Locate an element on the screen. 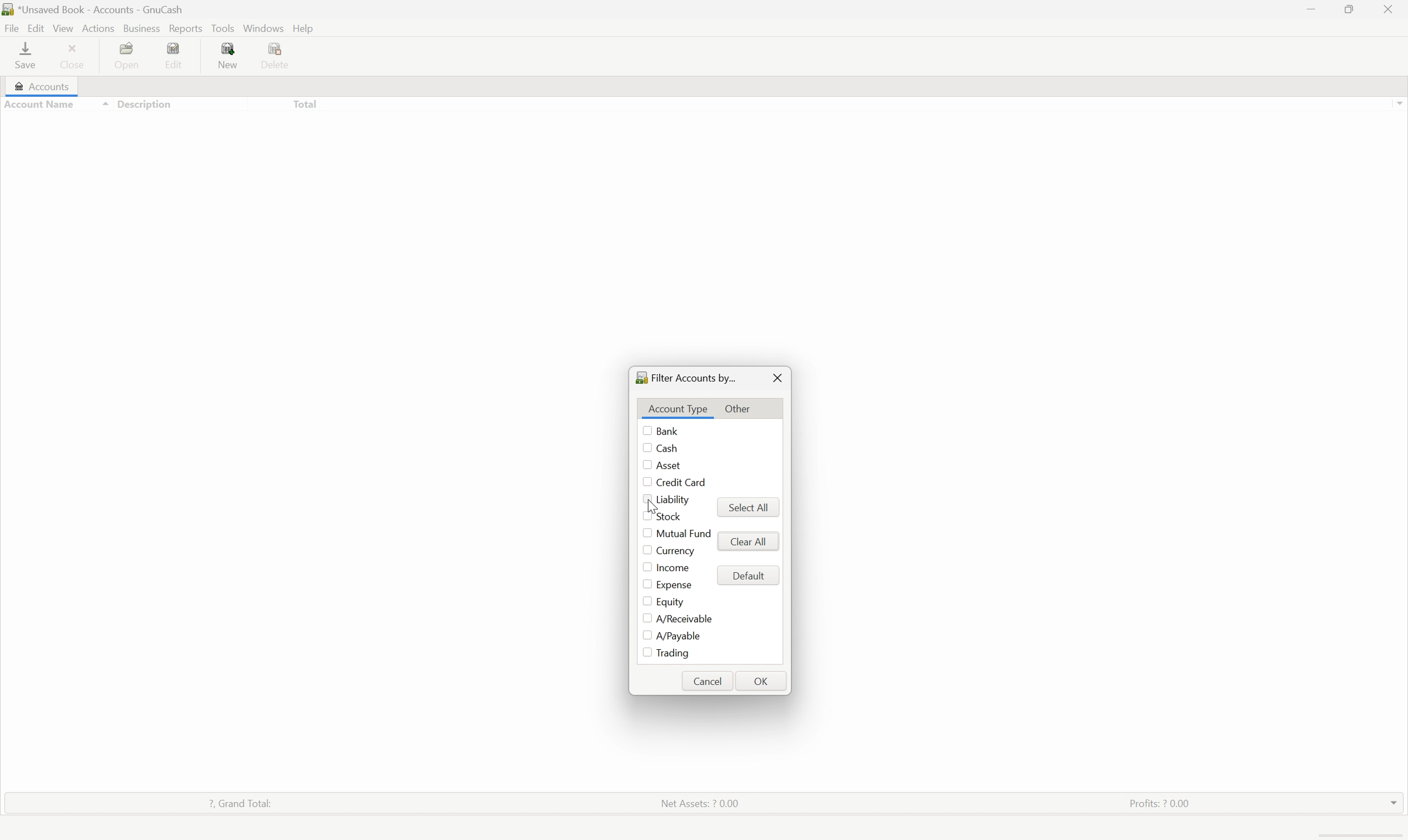 The image size is (1408, 840). Equity is located at coordinates (132, 136).